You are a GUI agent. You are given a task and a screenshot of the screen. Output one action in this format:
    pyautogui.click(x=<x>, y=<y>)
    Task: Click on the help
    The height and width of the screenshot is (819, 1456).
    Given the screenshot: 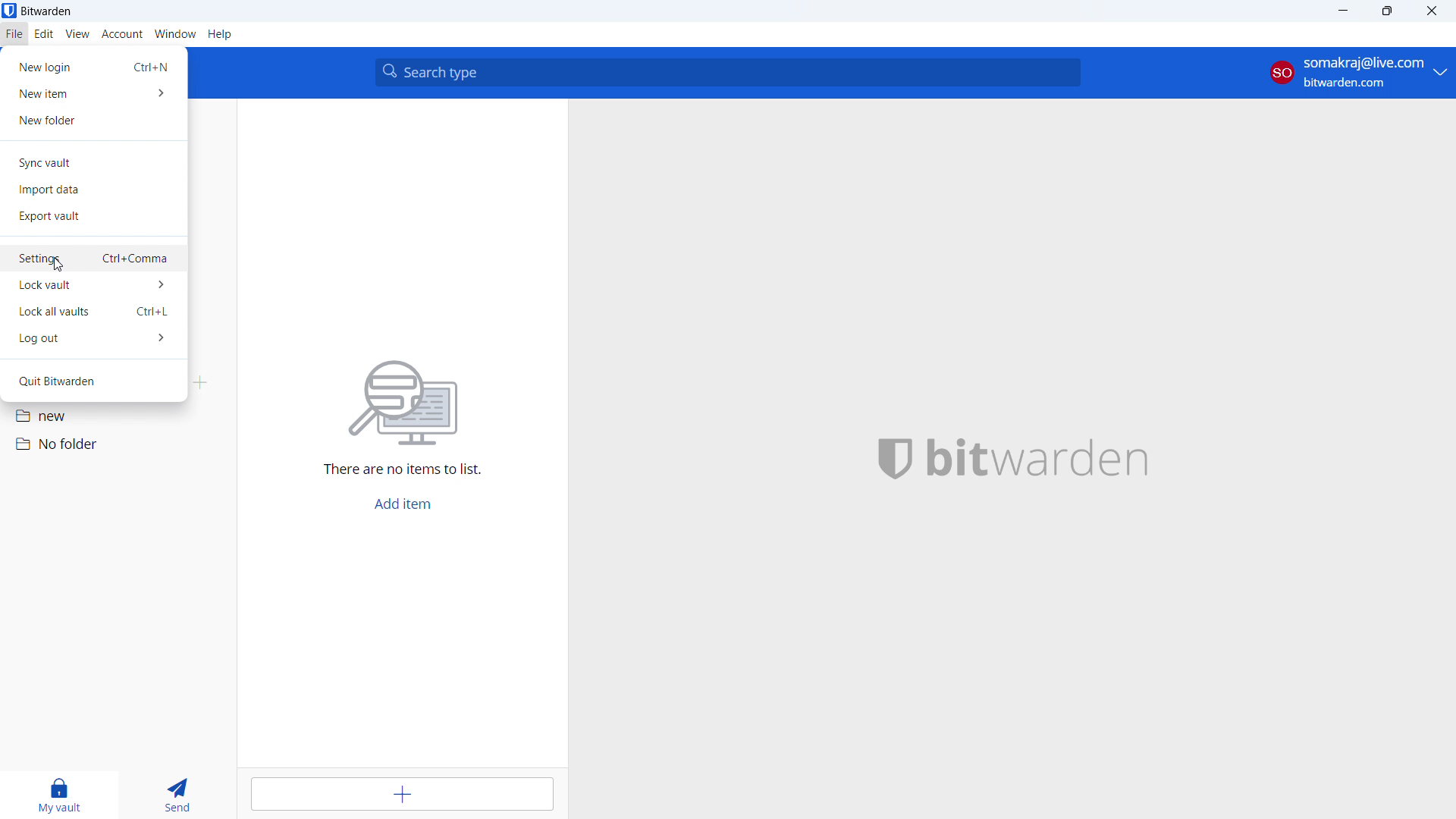 What is the action you would take?
    pyautogui.click(x=221, y=35)
    